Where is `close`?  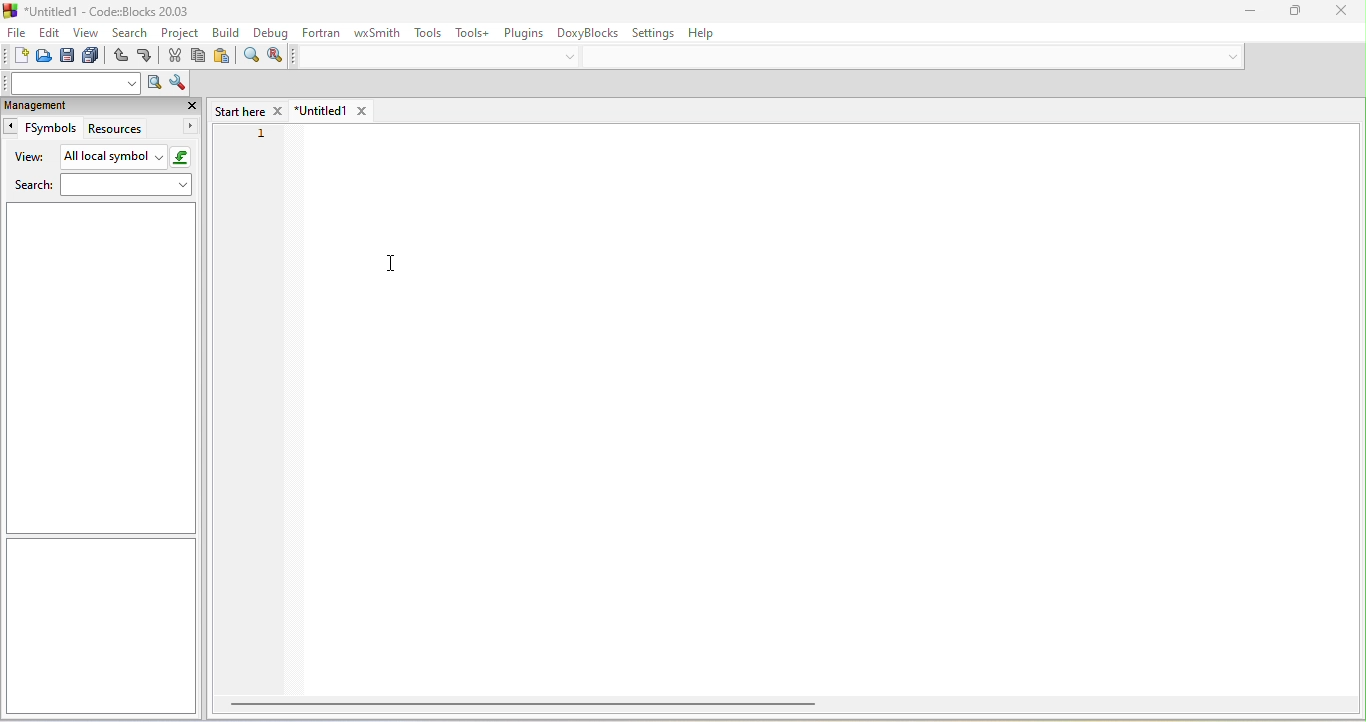
close is located at coordinates (191, 106).